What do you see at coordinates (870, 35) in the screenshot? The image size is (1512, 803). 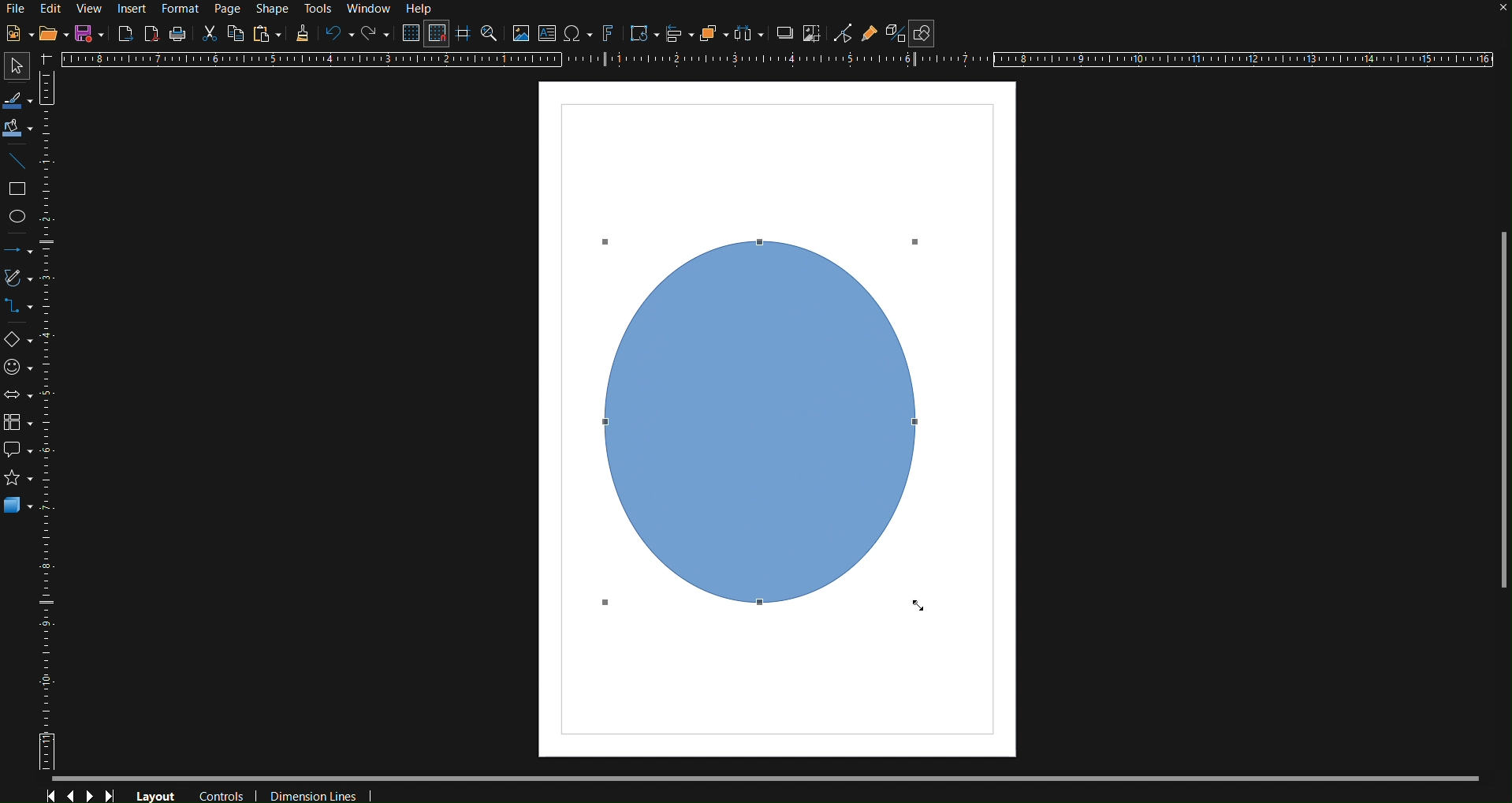 I see `Show Gluepoint Functions` at bounding box center [870, 35].